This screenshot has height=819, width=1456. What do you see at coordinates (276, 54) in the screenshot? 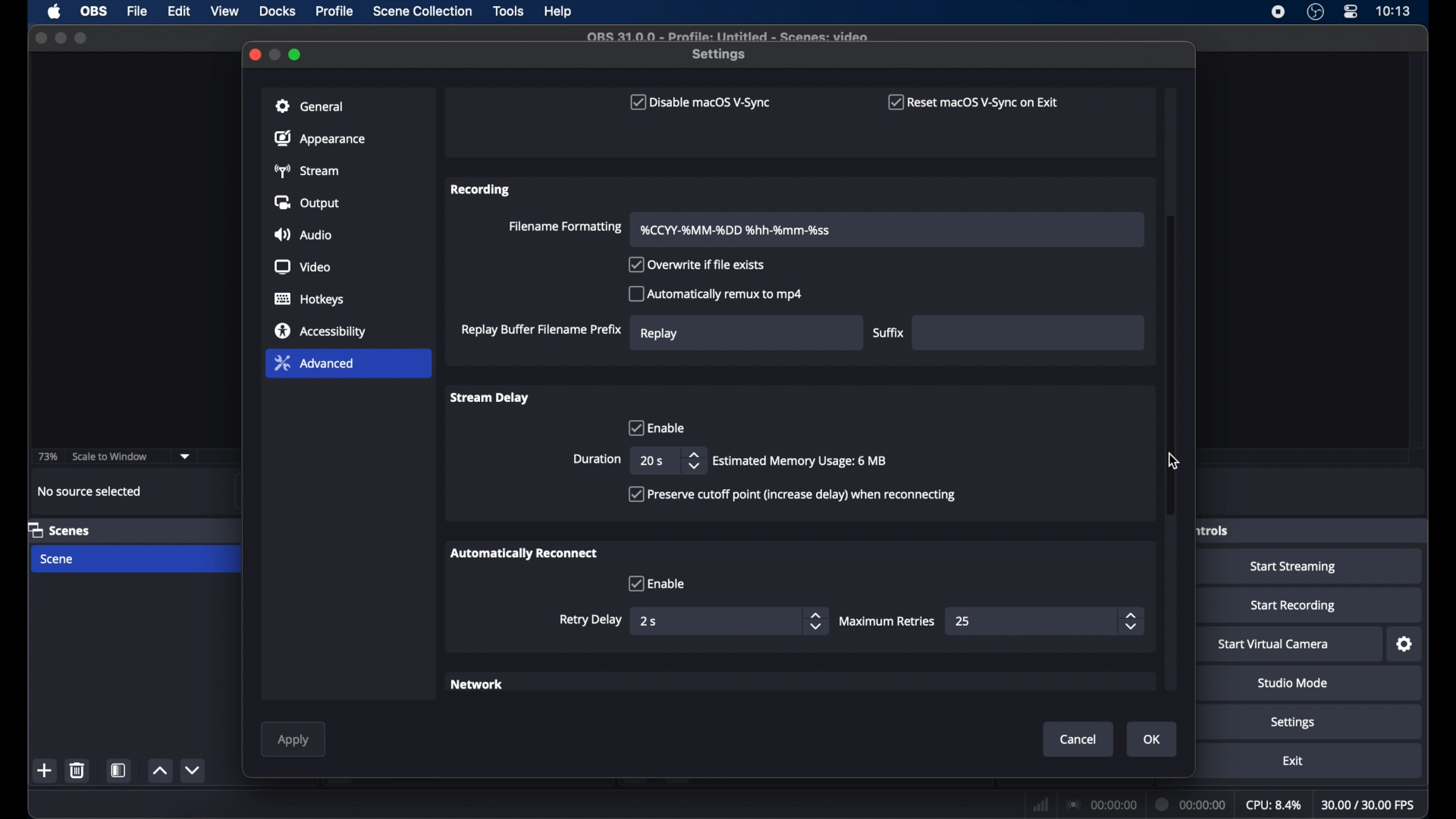
I see `minimize` at bounding box center [276, 54].